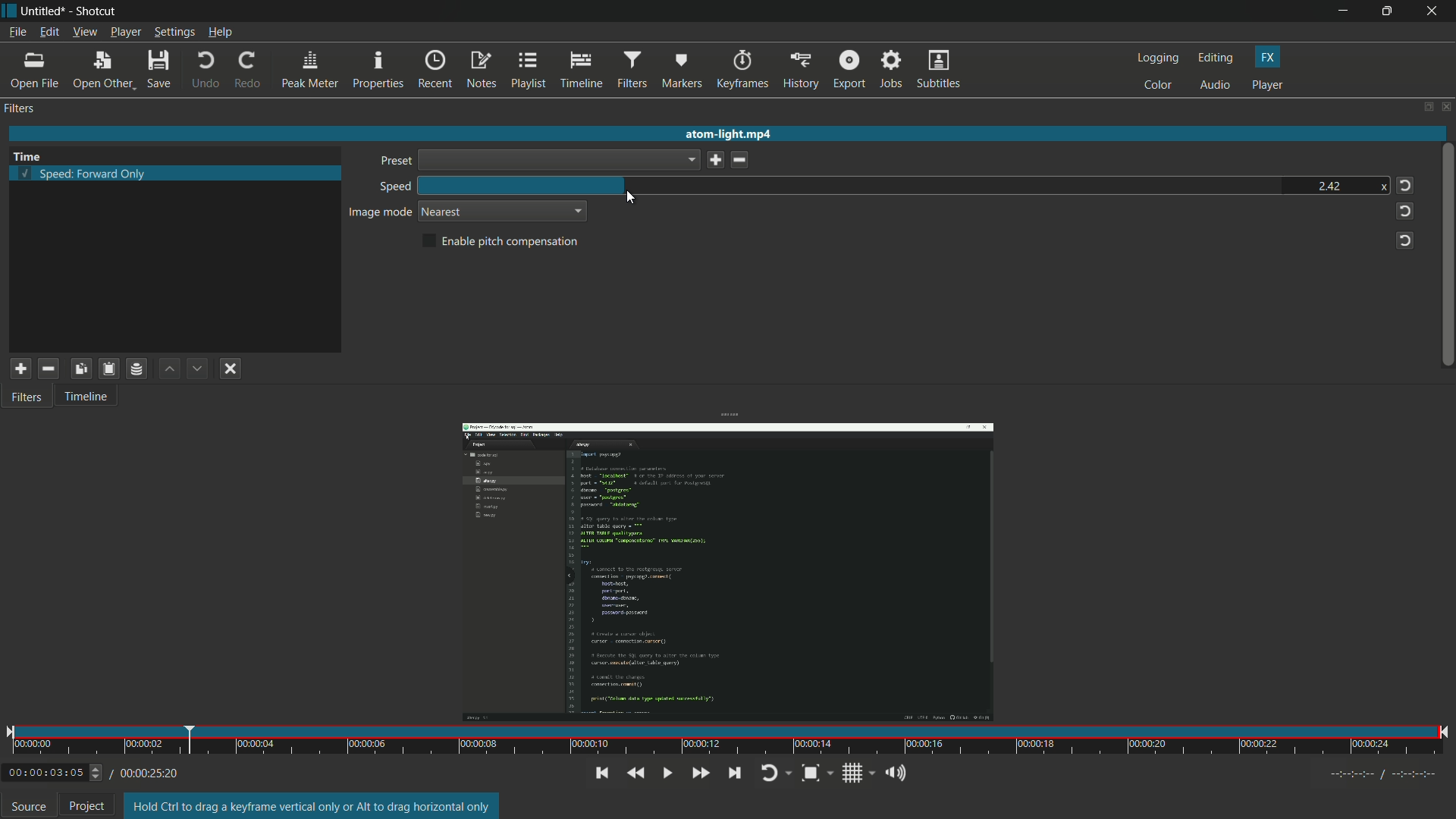  Describe the element at coordinates (858, 773) in the screenshot. I see `show grid` at that location.